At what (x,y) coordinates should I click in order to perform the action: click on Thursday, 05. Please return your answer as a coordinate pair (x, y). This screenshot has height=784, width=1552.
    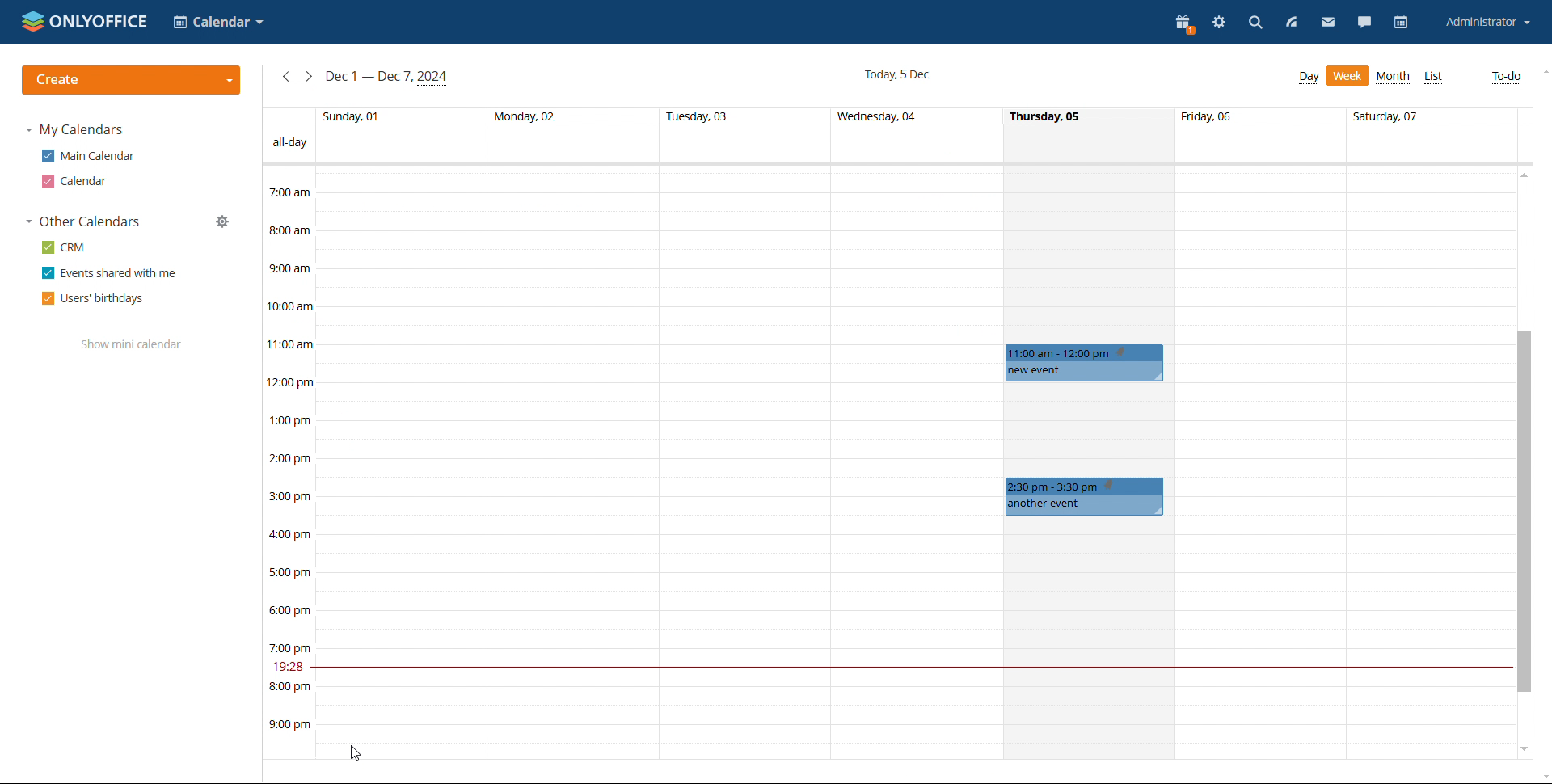
    Looking at the image, I should click on (1047, 116).